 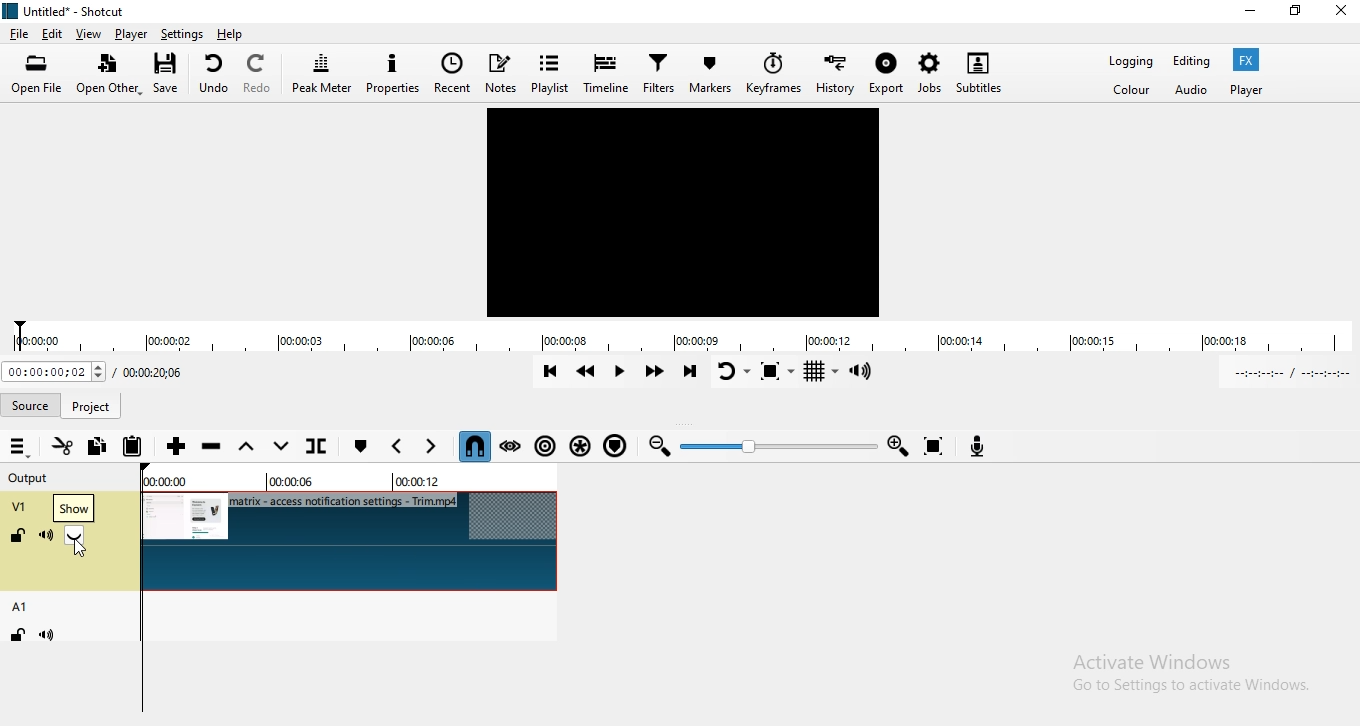 I want to click on Zoom slider, so click(x=776, y=447).